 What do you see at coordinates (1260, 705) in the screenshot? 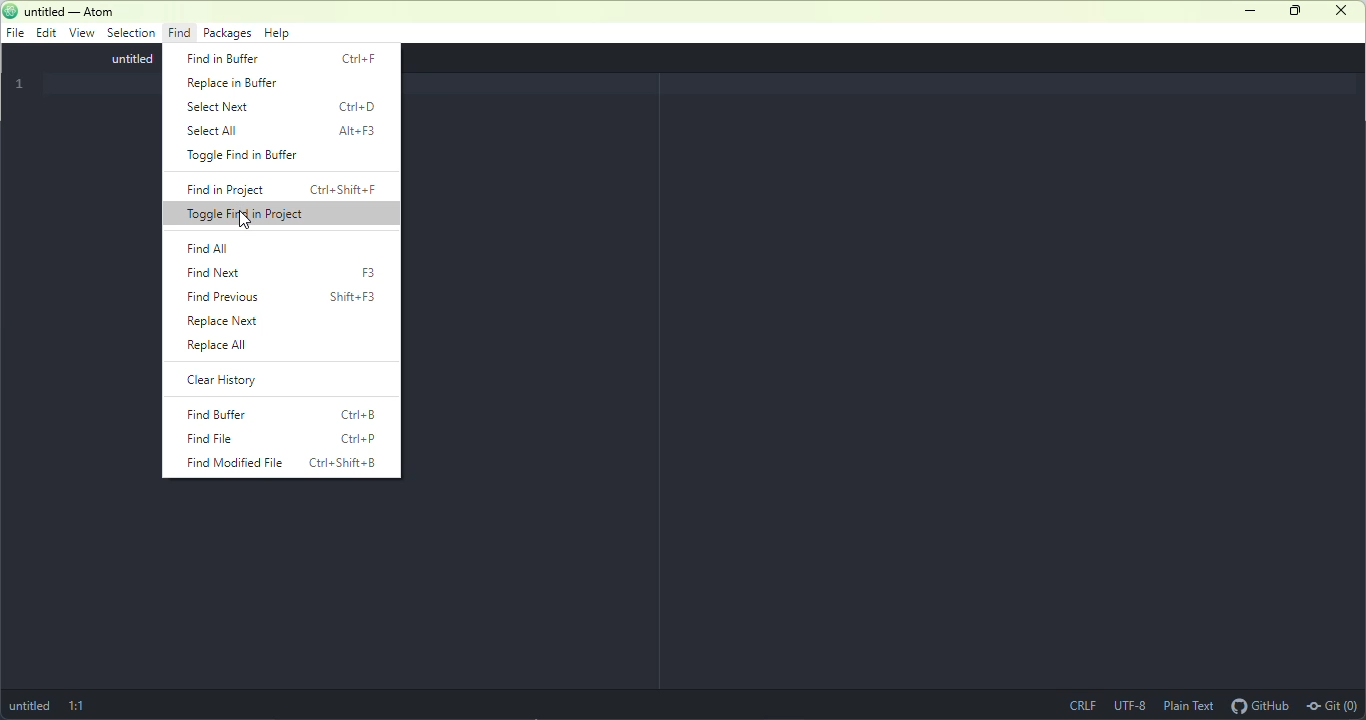
I see `github` at bounding box center [1260, 705].